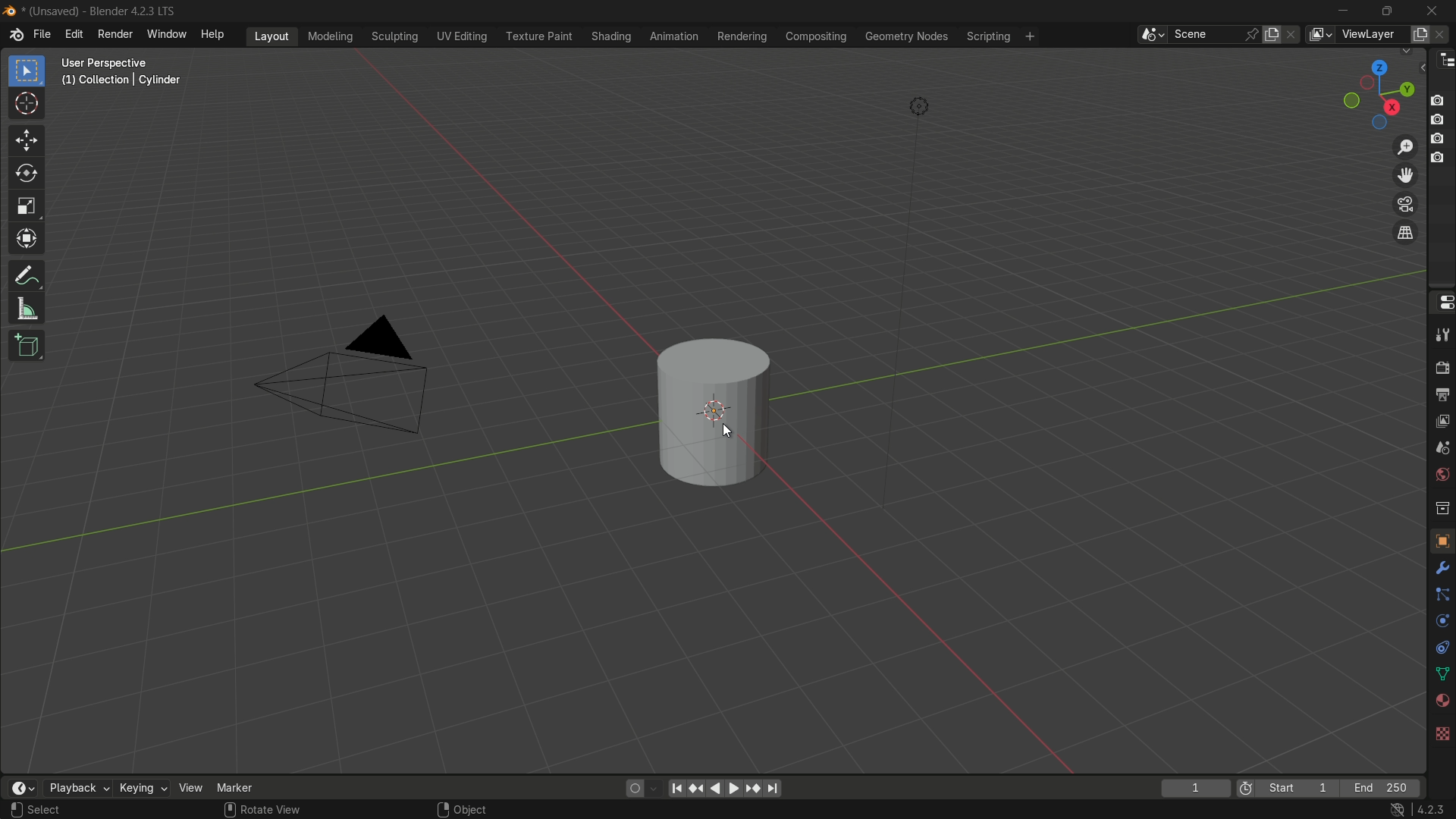 The height and width of the screenshot is (819, 1456). What do you see at coordinates (1404, 202) in the screenshot?
I see `toggle camera view` at bounding box center [1404, 202].